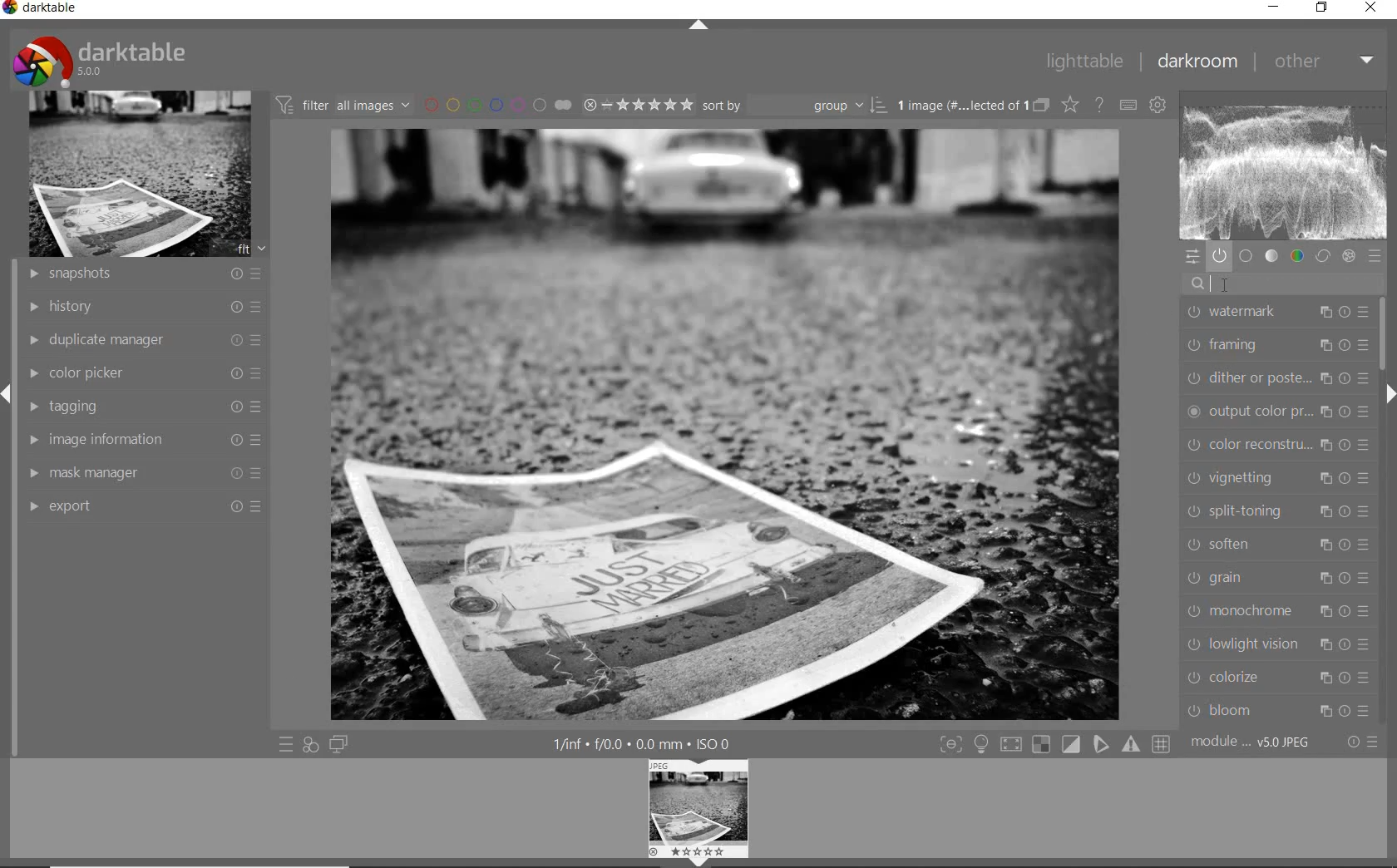  I want to click on history, so click(144, 307).